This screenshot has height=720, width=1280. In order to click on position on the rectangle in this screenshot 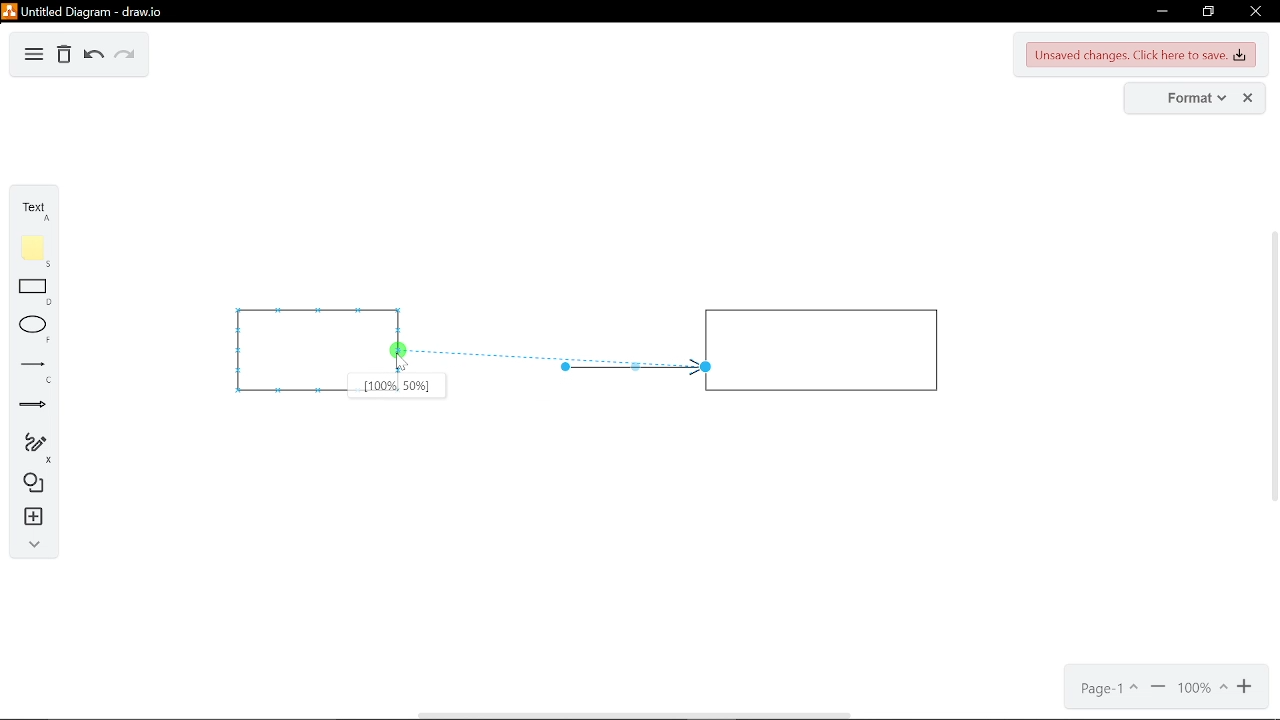, I will do `click(398, 386)`.